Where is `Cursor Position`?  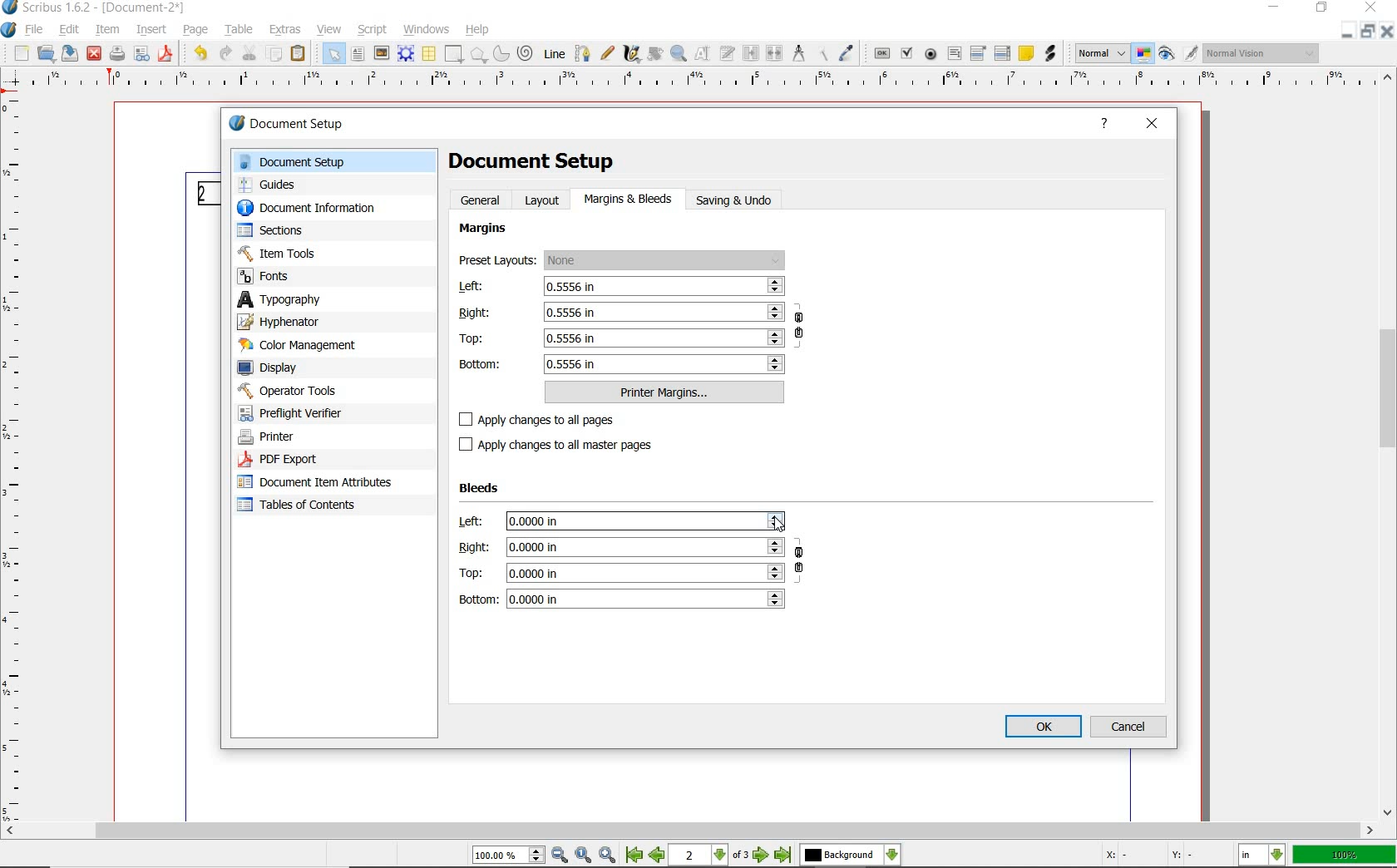 Cursor Position is located at coordinates (777, 523).